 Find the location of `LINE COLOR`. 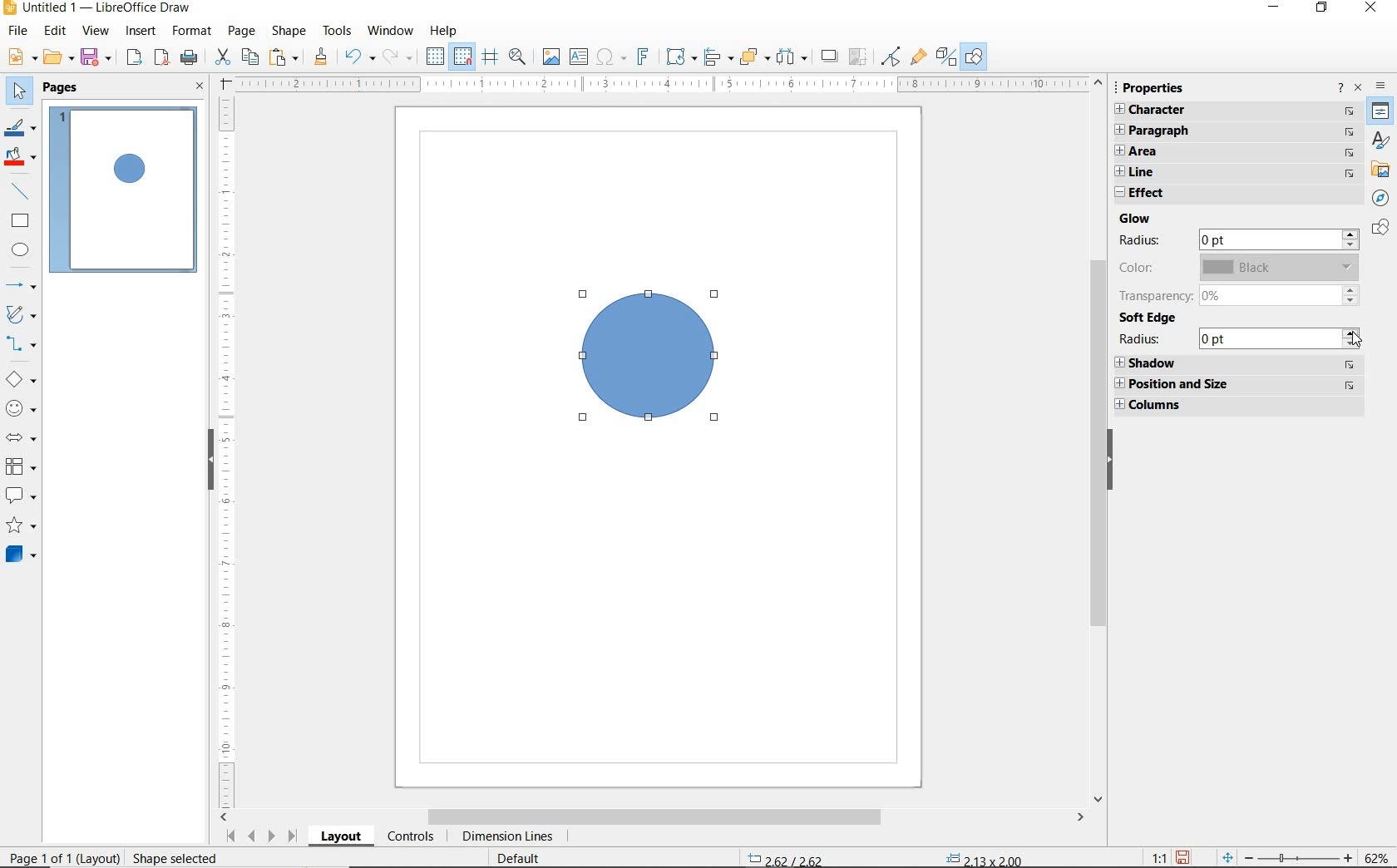

LINE COLOR is located at coordinates (22, 130).